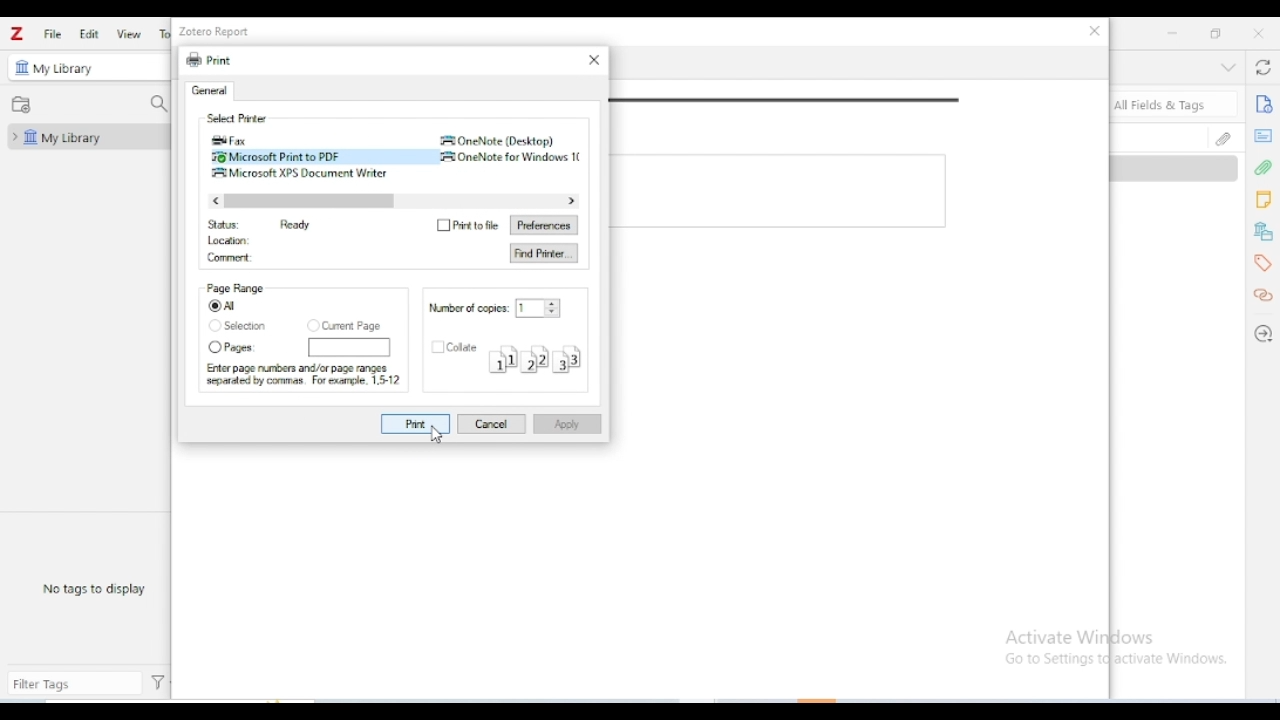 The width and height of the screenshot is (1280, 720). Describe the element at coordinates (89, 33) in the screenshot. I see `edit` at that location.